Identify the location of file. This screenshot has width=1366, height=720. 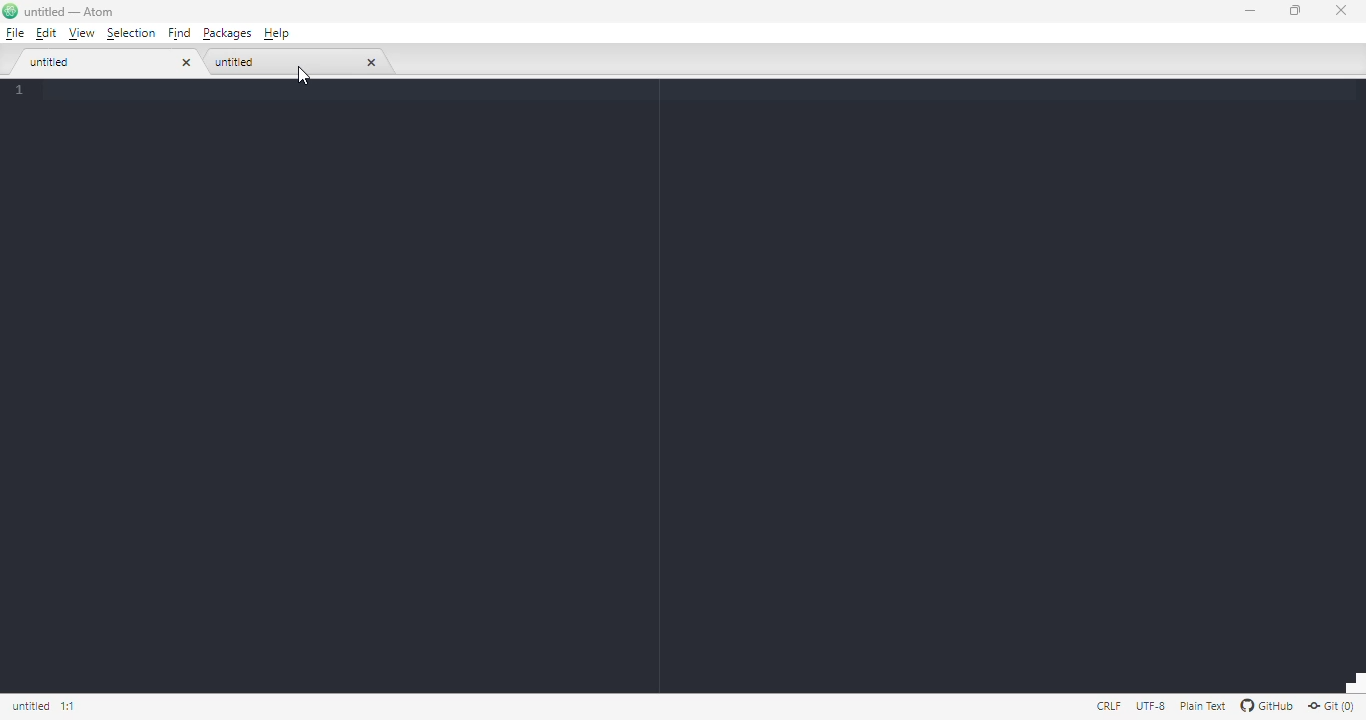
(15, 33).